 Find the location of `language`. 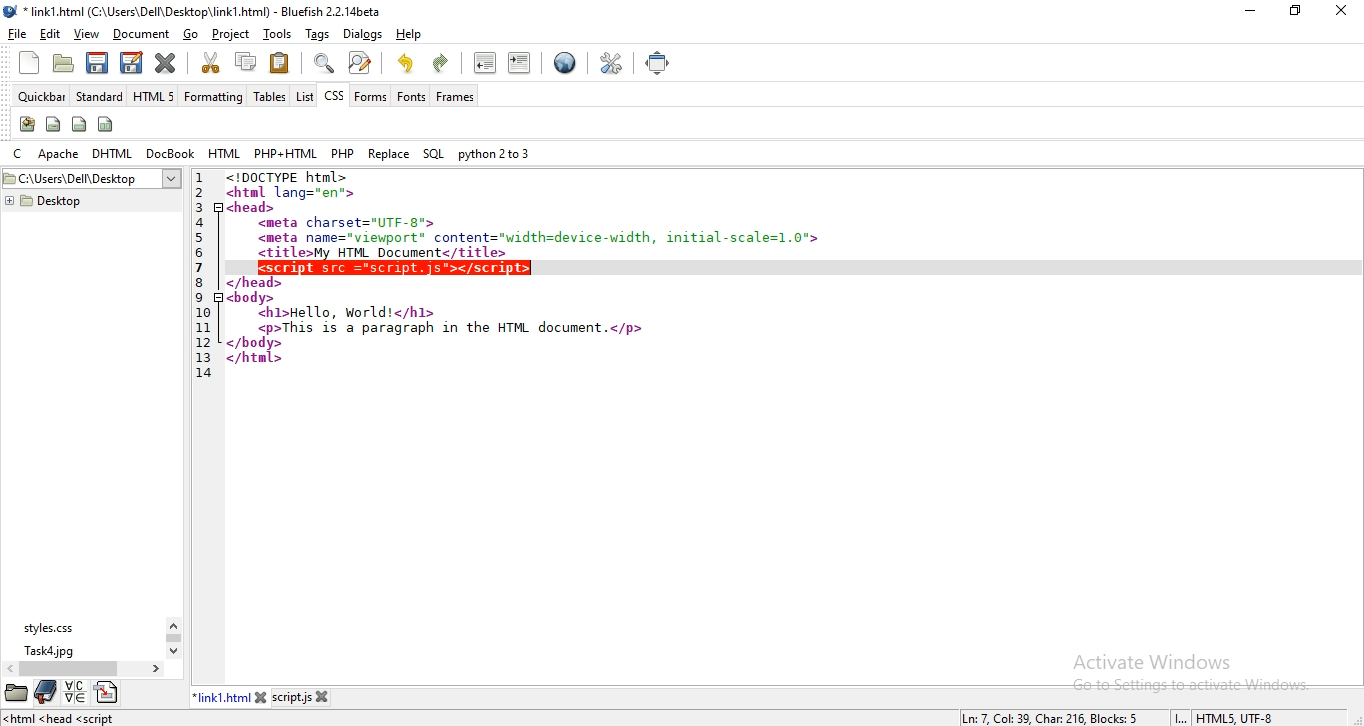

language is located at coordinates (76, 692).